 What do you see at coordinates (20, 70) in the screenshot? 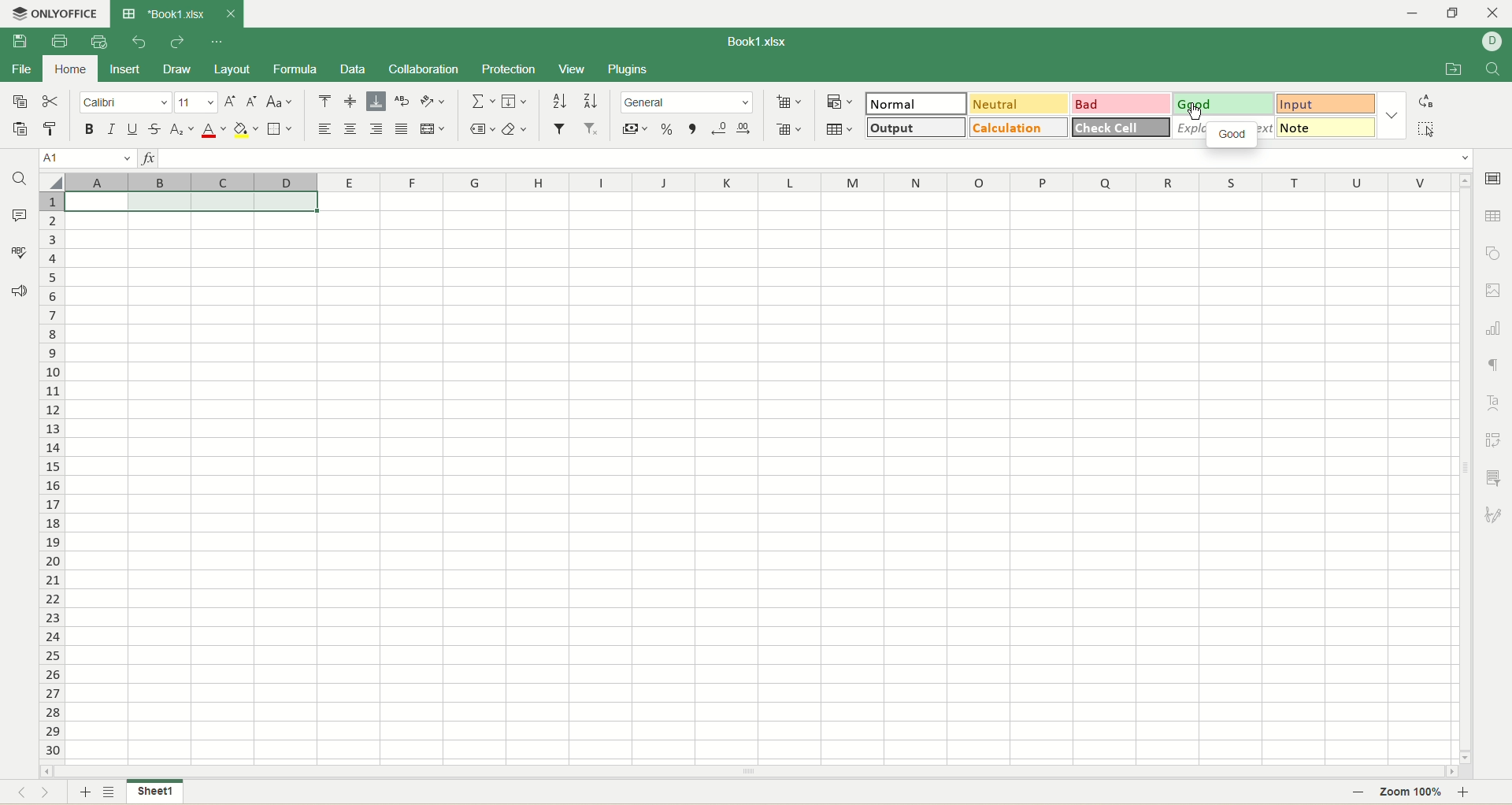
I see `file` at bounding box center [20, 70].